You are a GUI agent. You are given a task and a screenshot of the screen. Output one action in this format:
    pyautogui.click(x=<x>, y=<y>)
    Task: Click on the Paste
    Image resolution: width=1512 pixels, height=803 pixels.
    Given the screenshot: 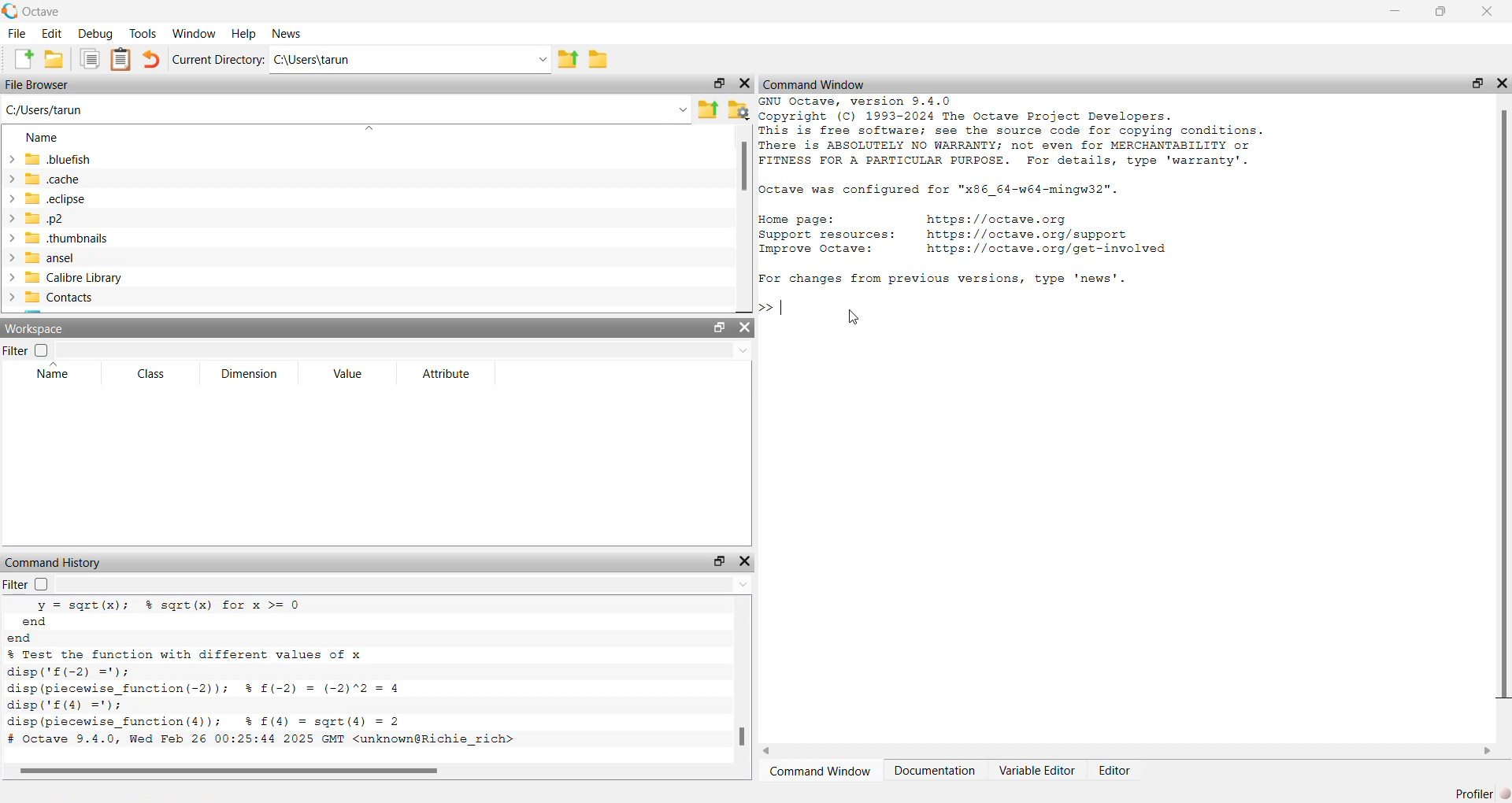 What is the action you would take?
    pyautogui.click(x=121, y=58)
    